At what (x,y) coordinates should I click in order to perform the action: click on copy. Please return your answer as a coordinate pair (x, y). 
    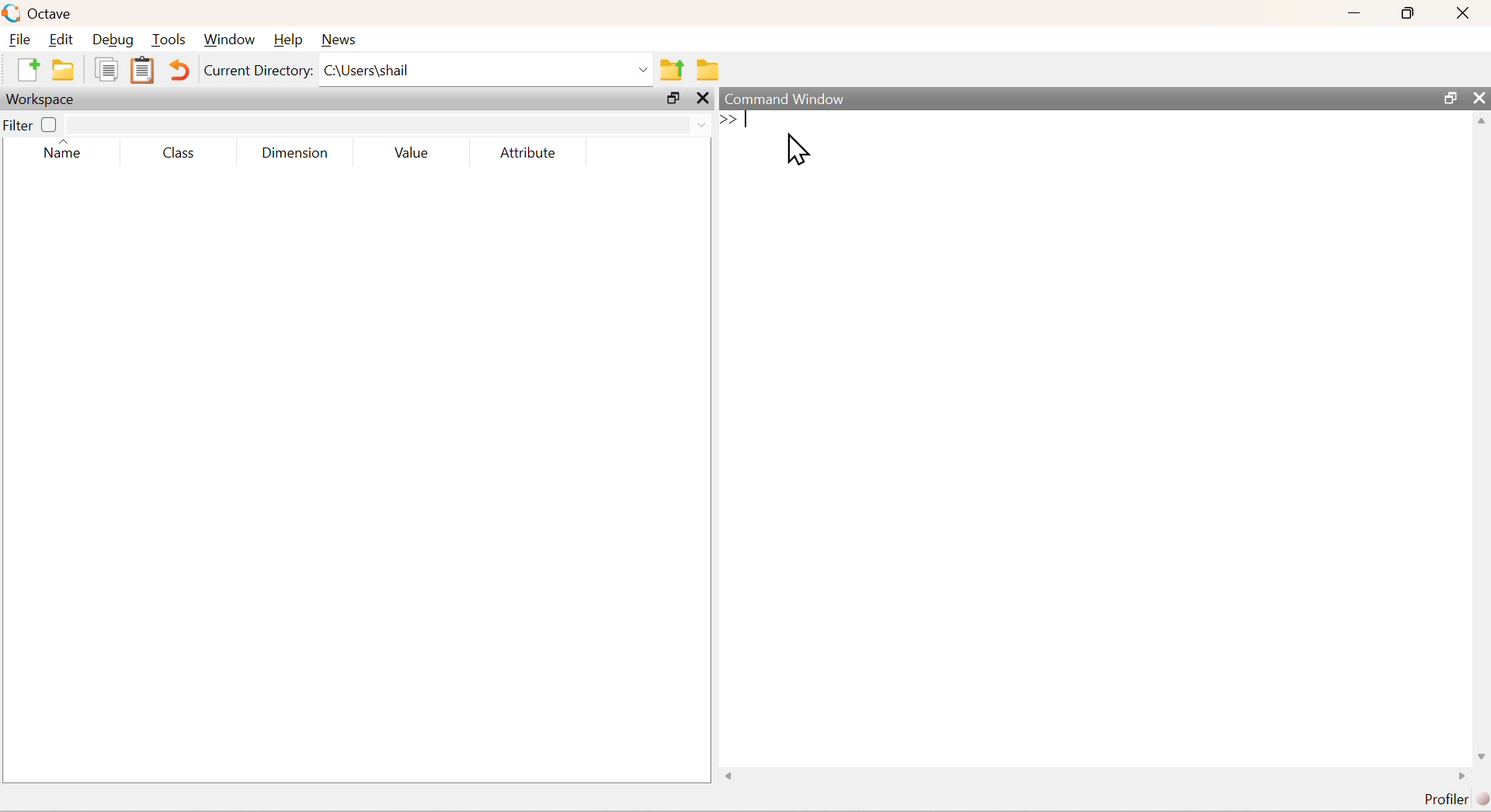
    Looking at the image, I should click on (106, 68).